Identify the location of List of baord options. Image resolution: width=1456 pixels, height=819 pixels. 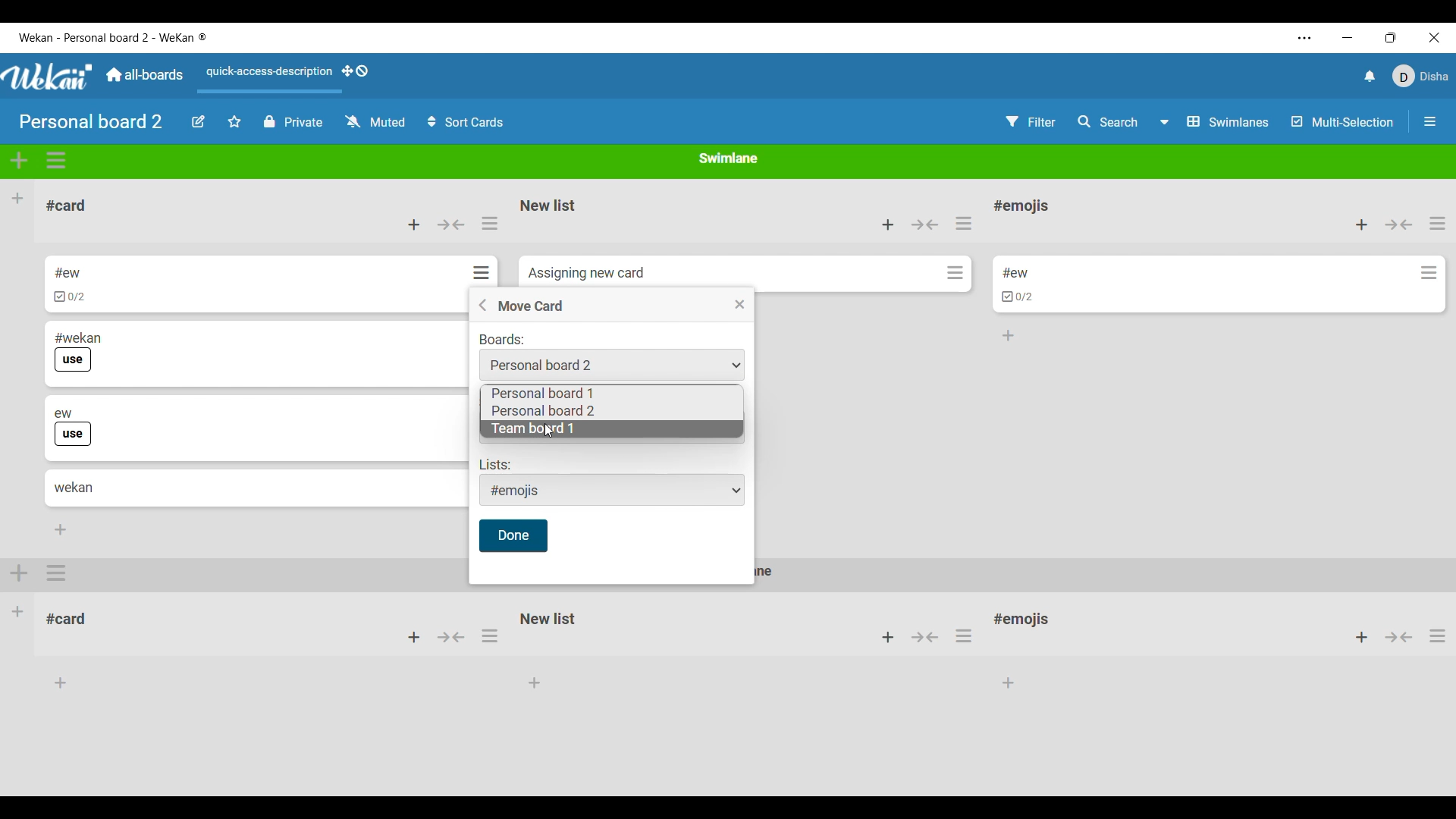
(543, 411).